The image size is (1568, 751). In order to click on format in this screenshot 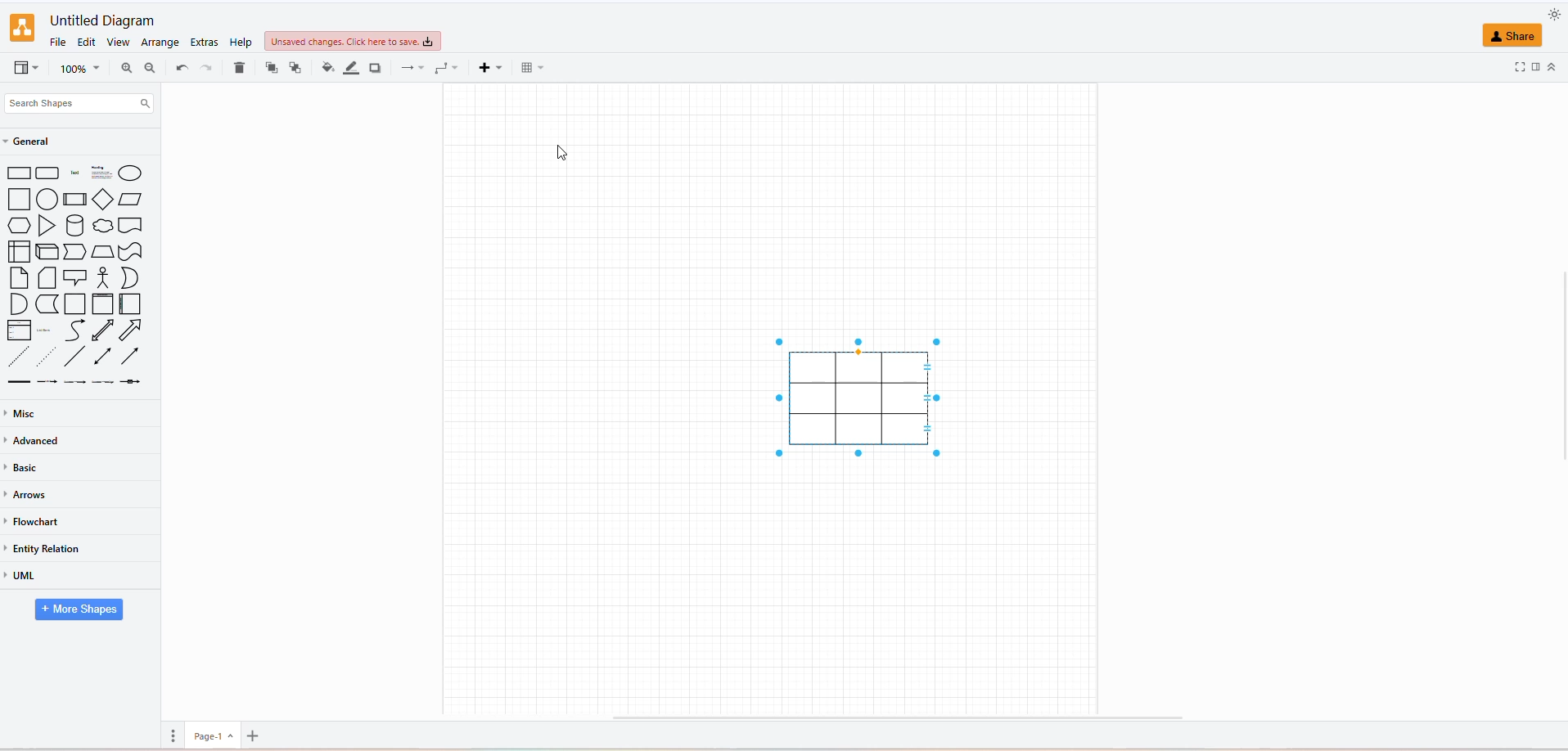, I will do `click(1538, 70)`.